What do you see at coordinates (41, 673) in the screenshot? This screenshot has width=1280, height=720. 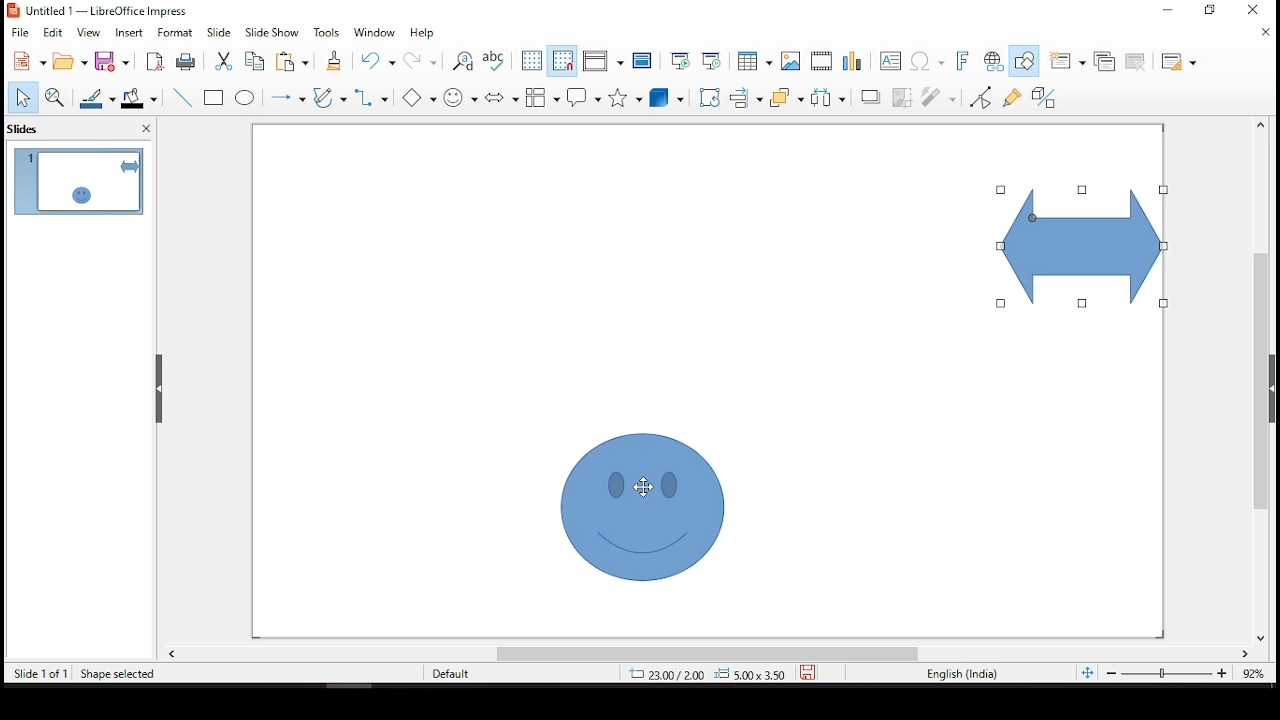 I see `slide 1 of 1` at bounding box center [41, 673].